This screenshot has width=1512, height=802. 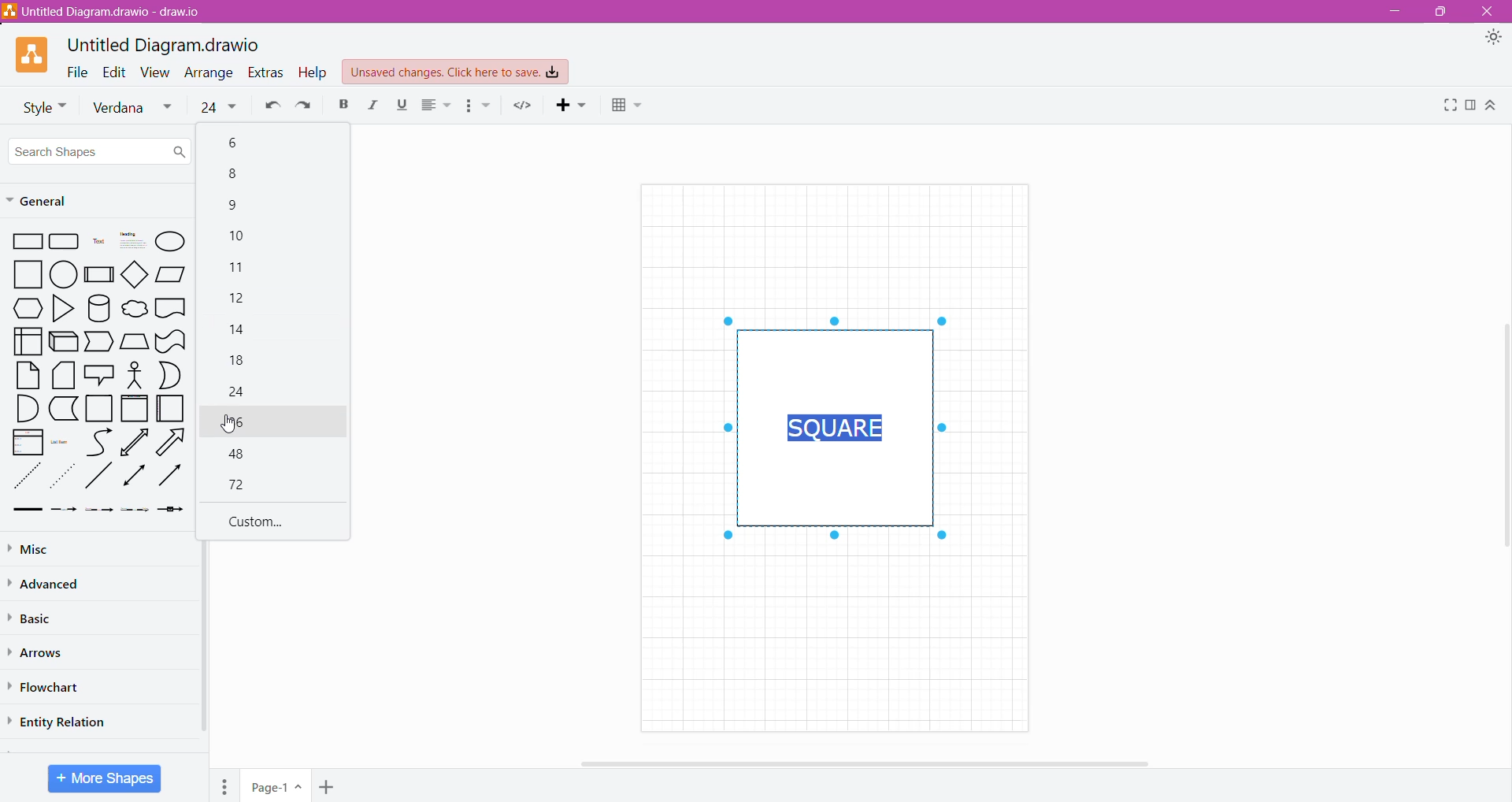 What do you see at coordinates (25, 274) in the screenshot?
I see `square` at bounding box center [25, 274].